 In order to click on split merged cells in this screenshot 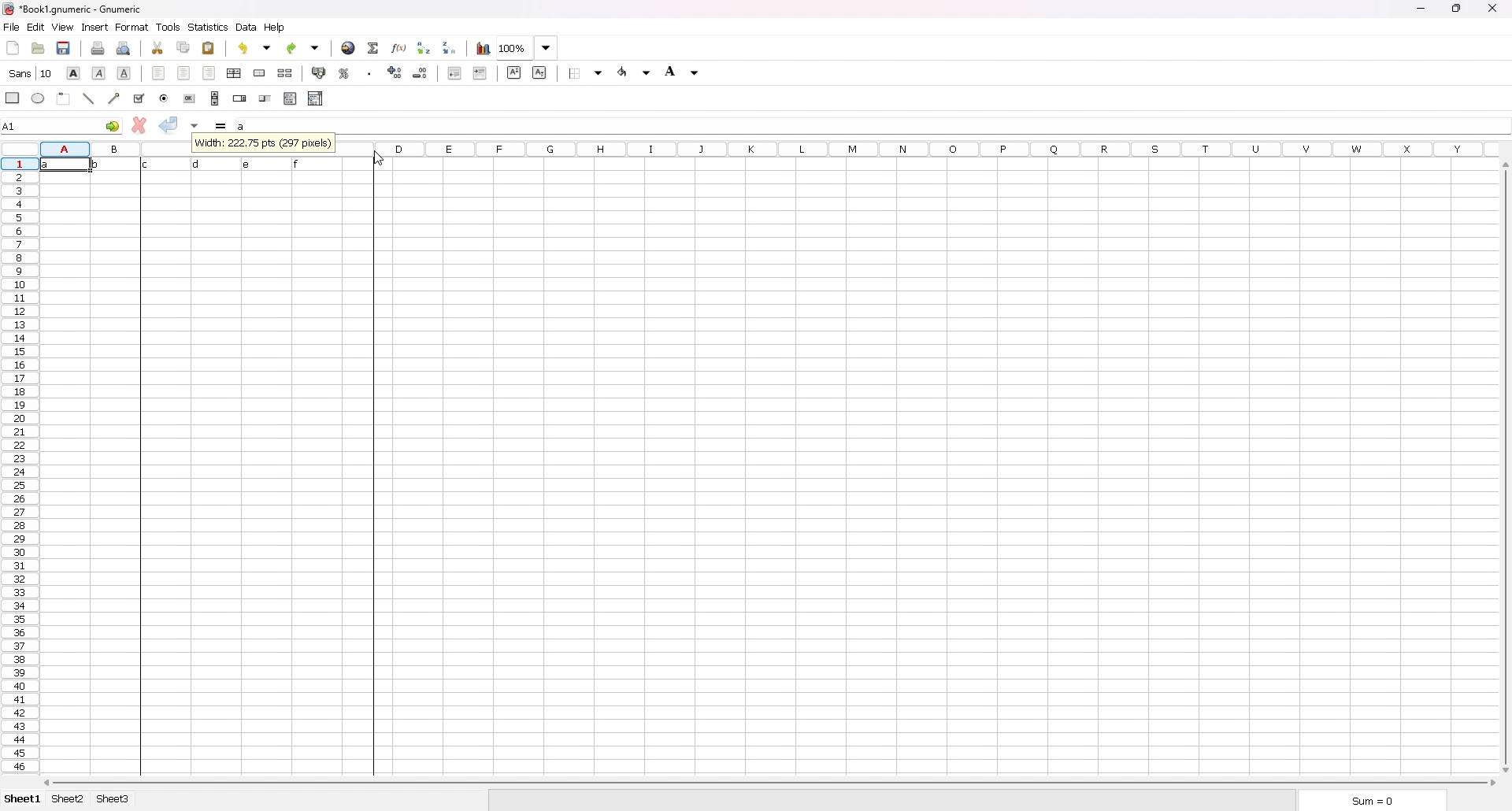, I will do `click(287, 73)`.